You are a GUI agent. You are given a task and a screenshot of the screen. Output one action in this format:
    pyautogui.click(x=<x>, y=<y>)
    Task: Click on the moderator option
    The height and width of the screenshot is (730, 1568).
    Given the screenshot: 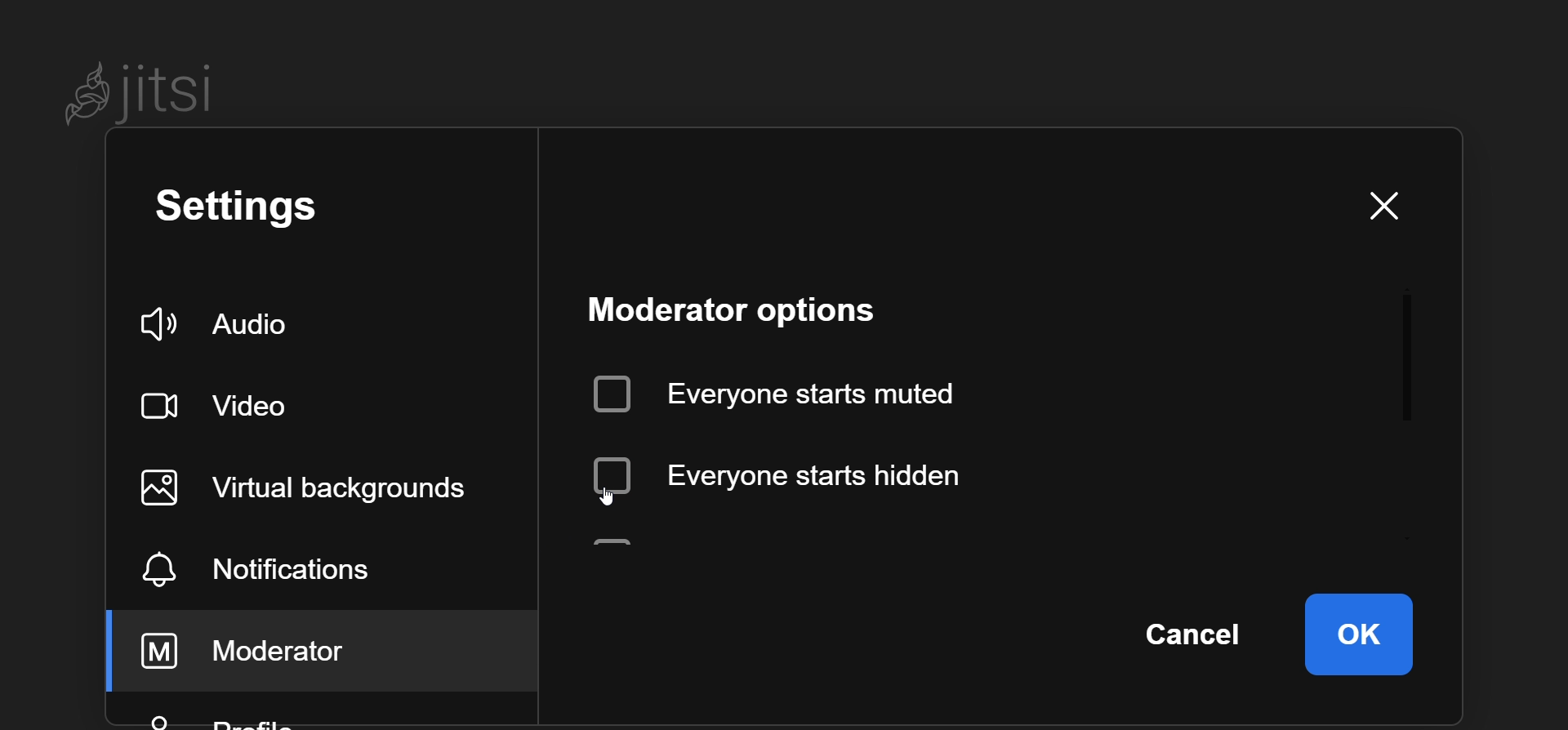 What is the action you would take?
    pyautogui.click(x=746, y=306)
    